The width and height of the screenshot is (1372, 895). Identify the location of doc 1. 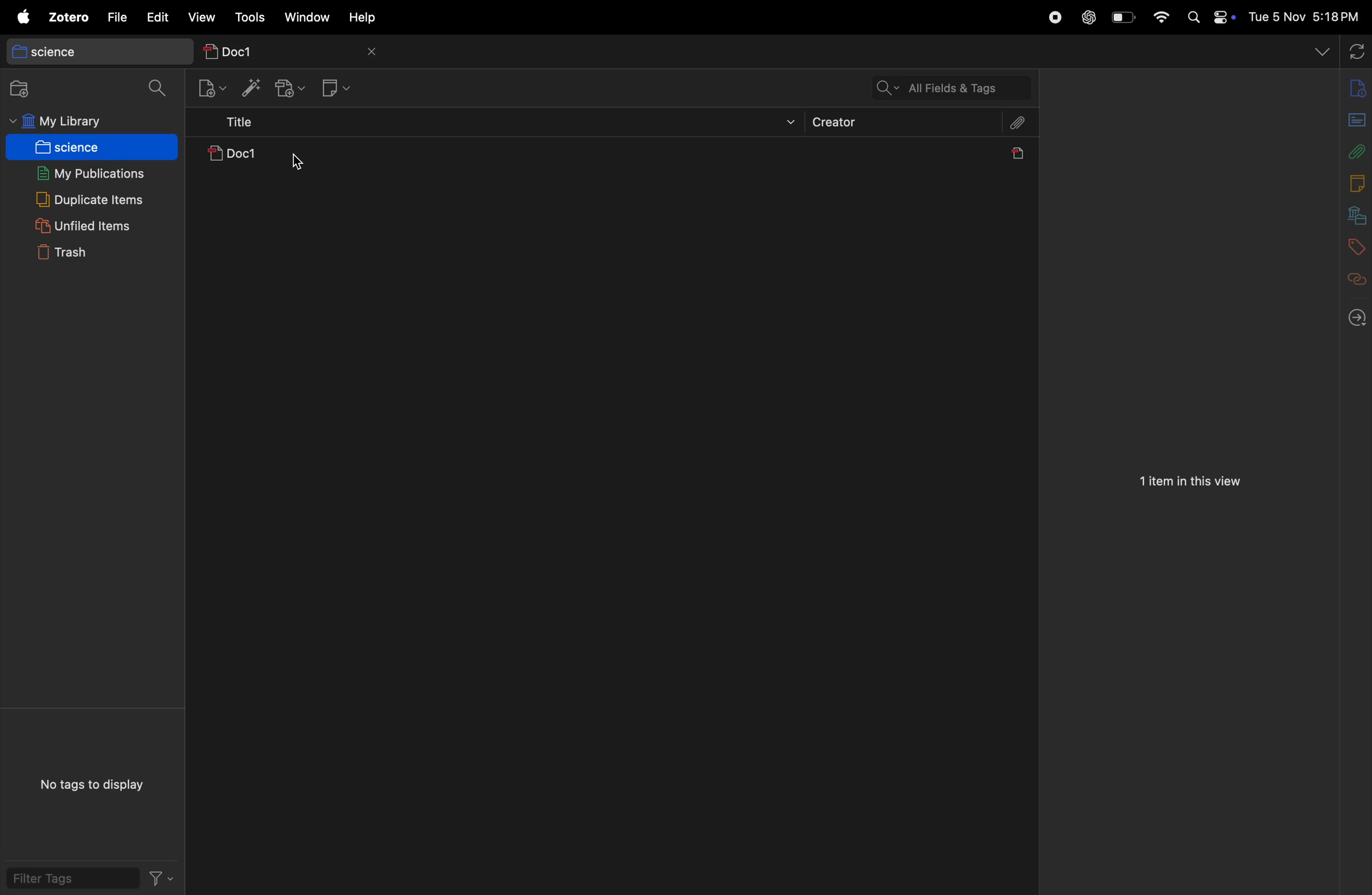
(282, 157).